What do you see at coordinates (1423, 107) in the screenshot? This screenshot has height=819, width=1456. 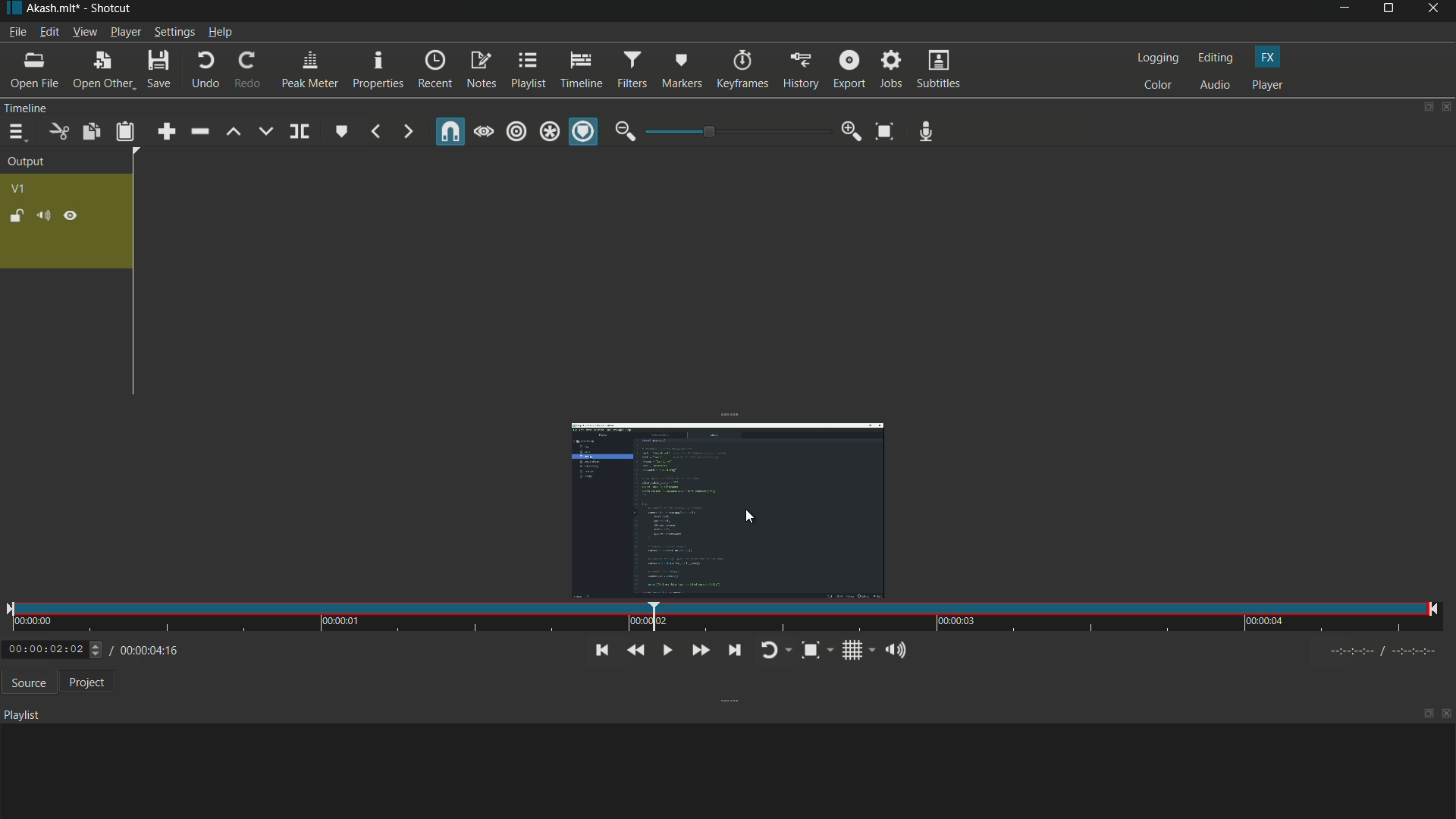 I see `change layout` at bounding box center [1423, 107].